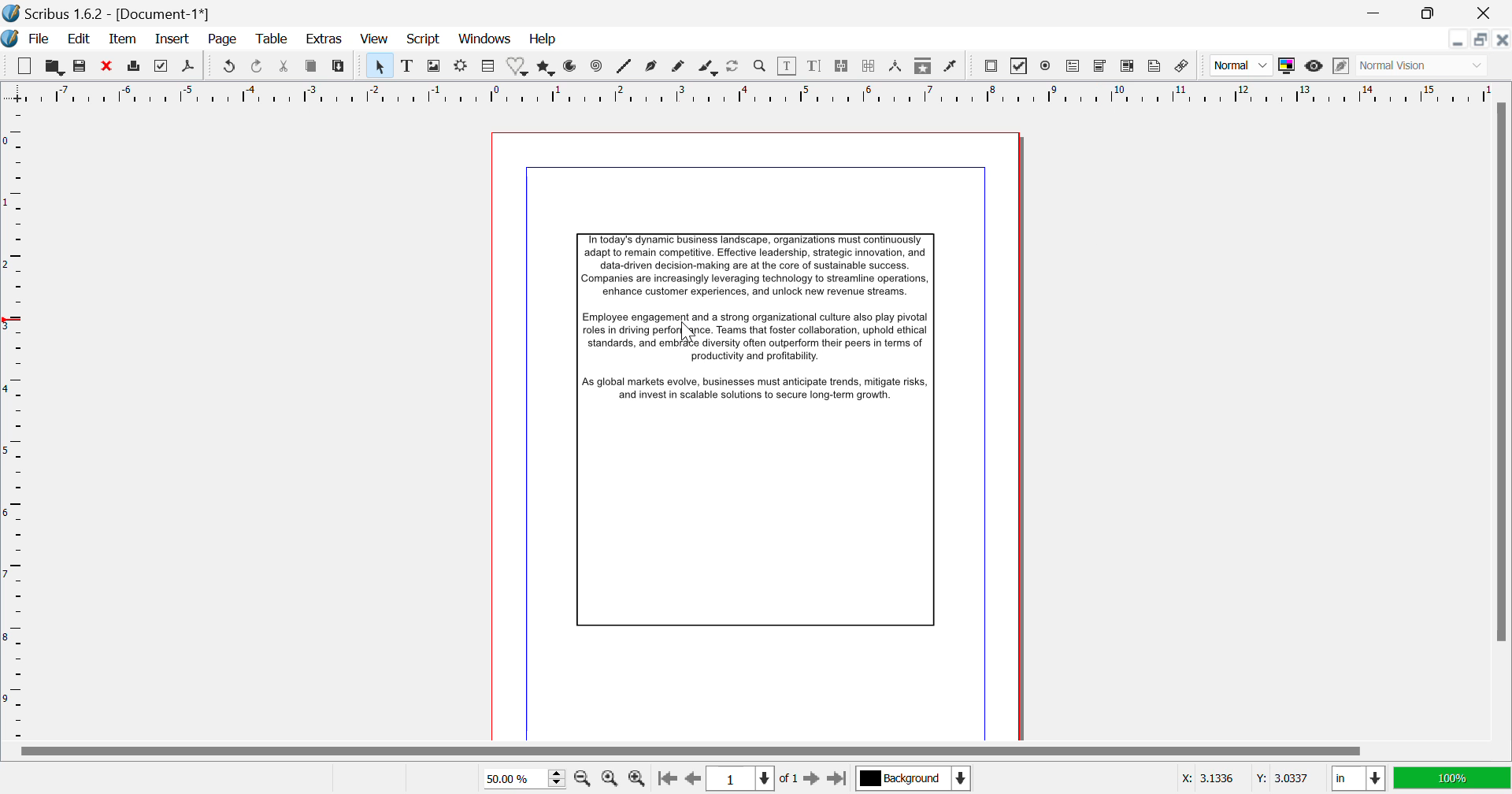  What do you see at coordinates (108, 66) in the screenshot?
I see `Discard` at bounding box center [108, 66].